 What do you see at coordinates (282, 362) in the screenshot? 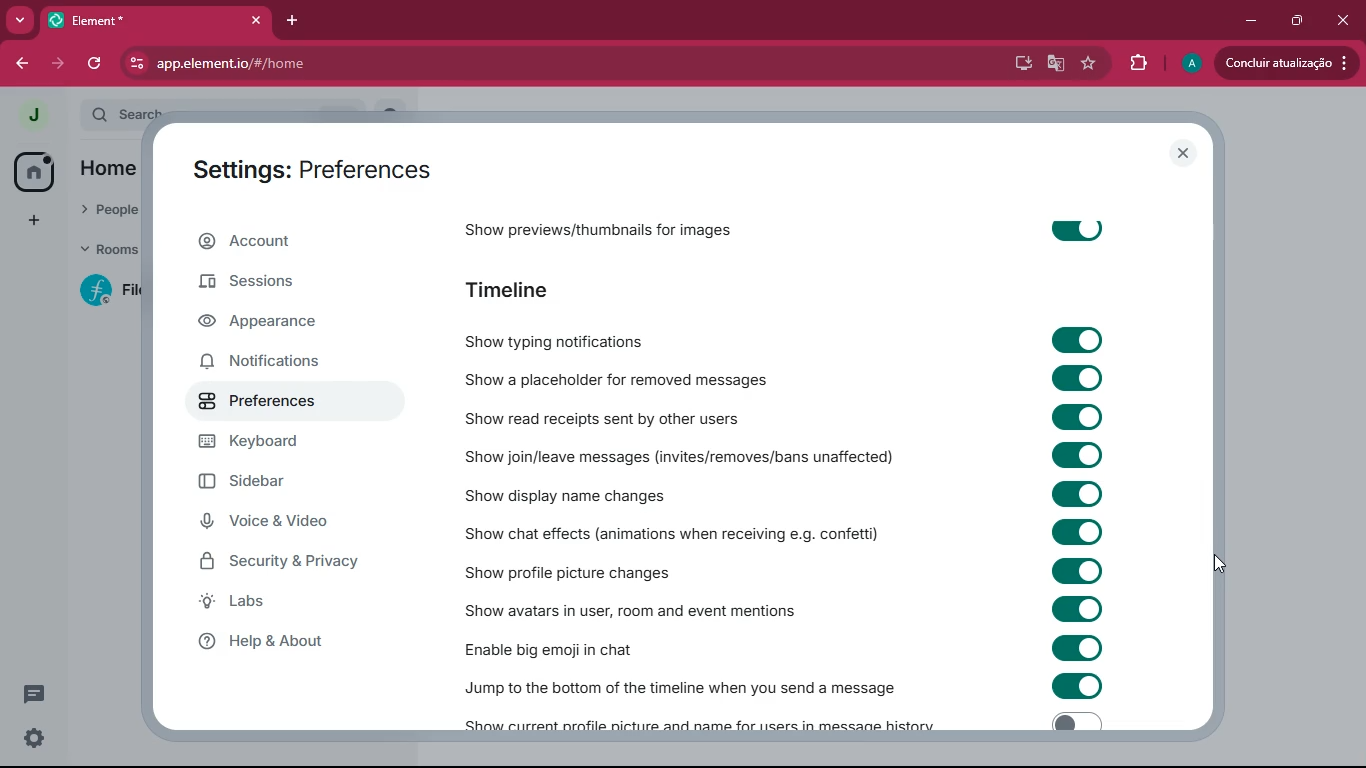
I see `notifications` at bounding box center [282, 362].